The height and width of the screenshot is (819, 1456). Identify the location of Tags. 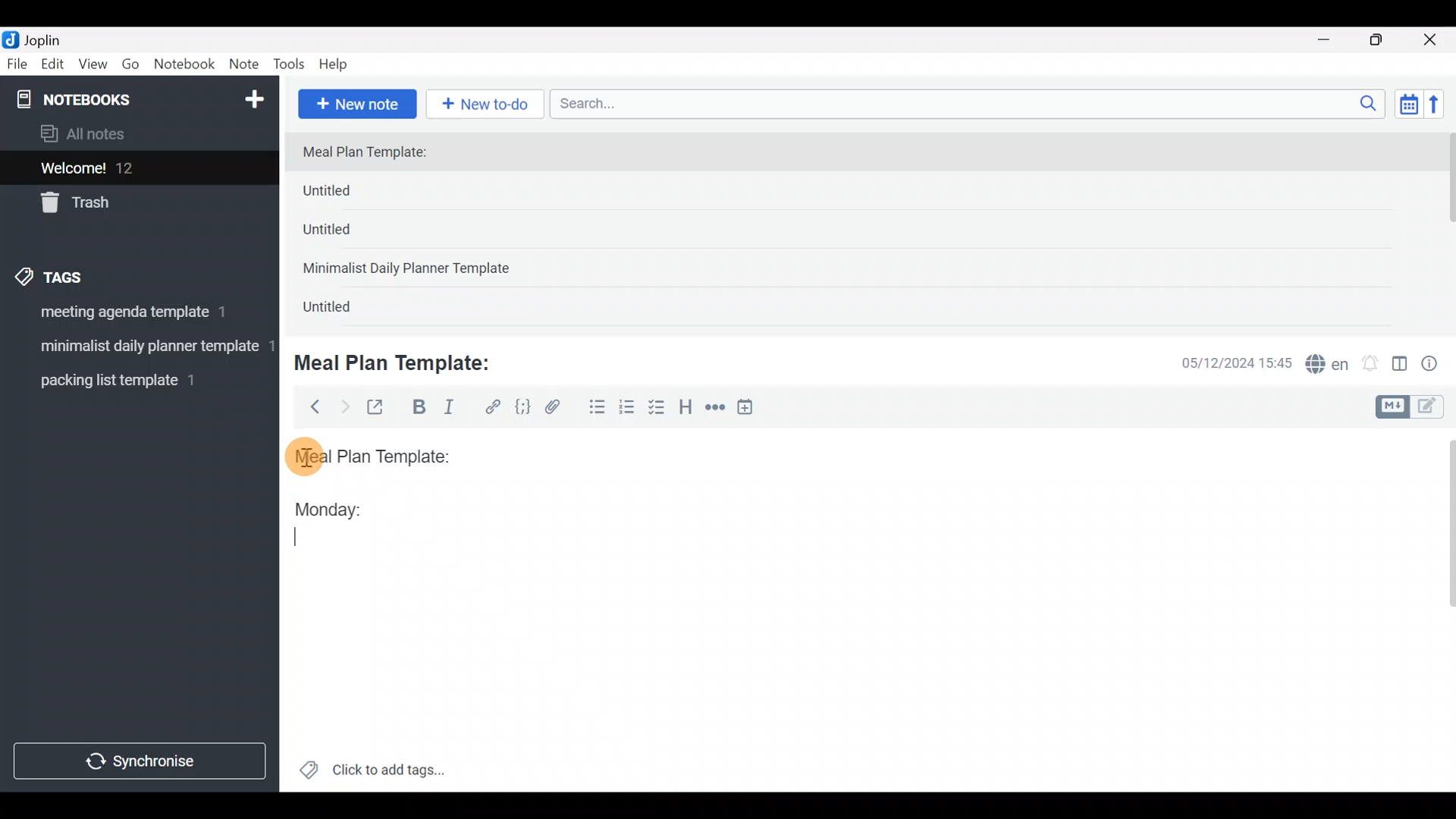
(85, 275).